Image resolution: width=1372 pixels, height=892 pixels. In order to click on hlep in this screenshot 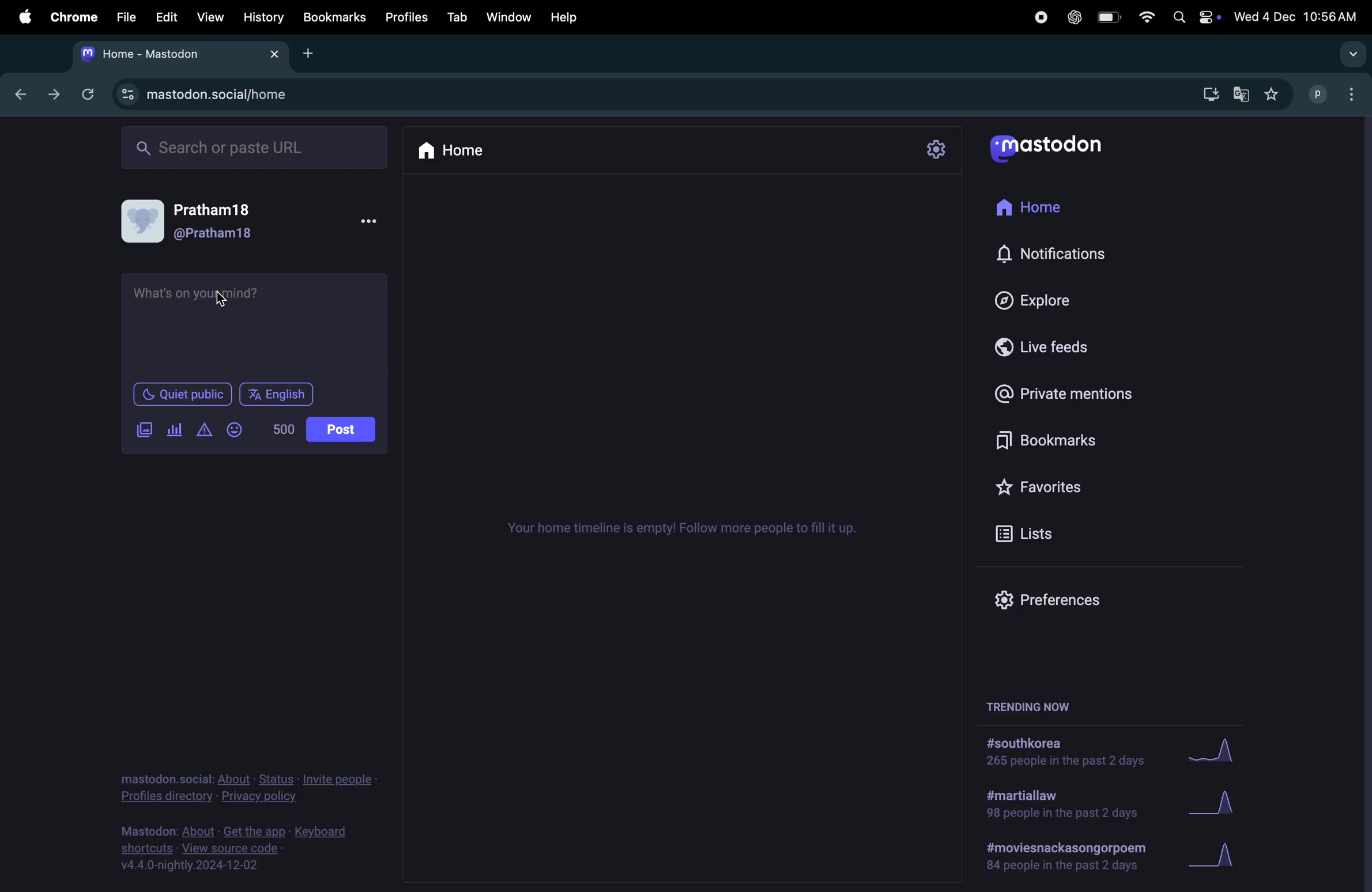, I will do `click(569, 17)`.